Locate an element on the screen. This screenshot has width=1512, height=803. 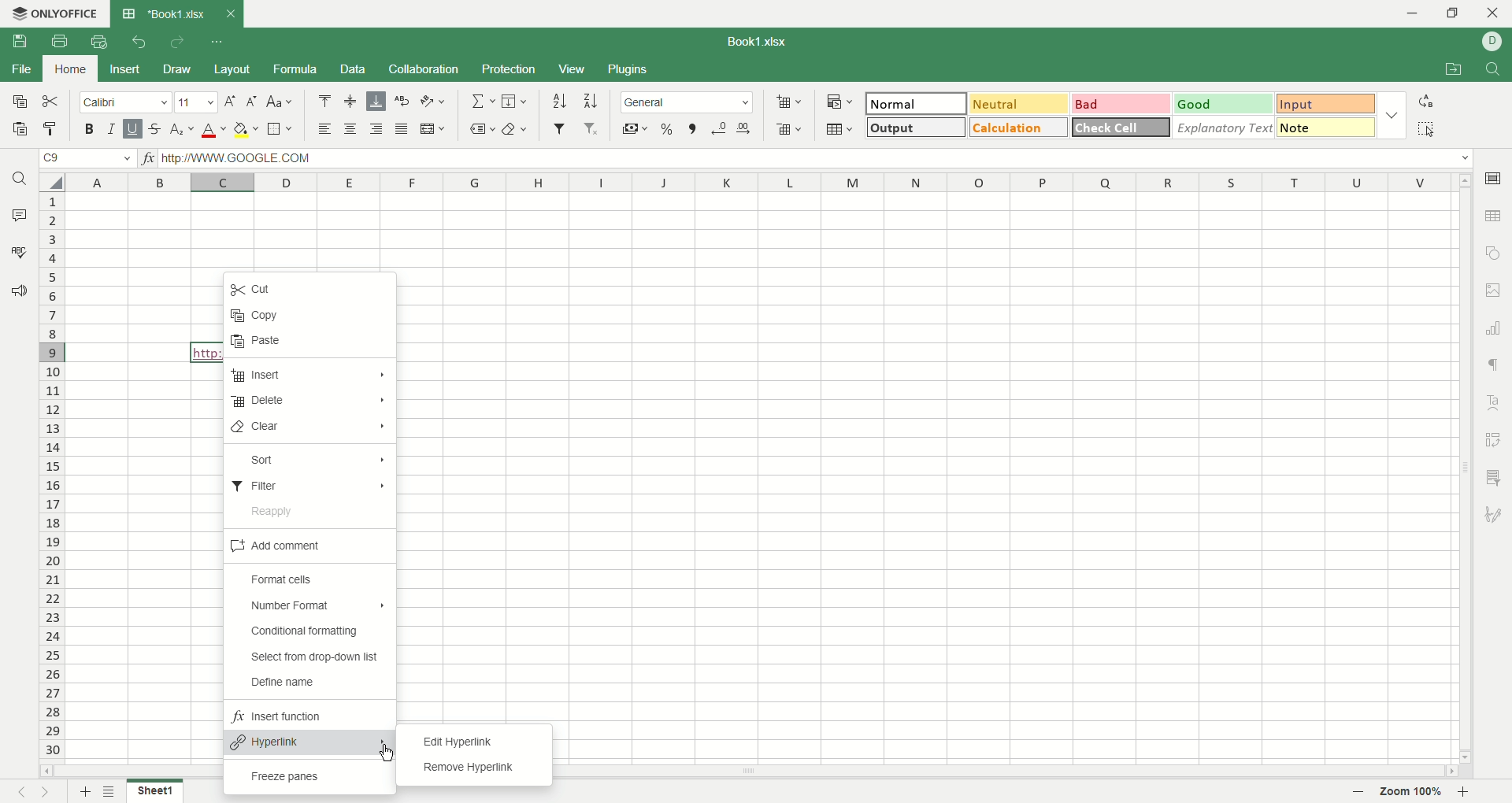
print is located at coordinates (57, 41).